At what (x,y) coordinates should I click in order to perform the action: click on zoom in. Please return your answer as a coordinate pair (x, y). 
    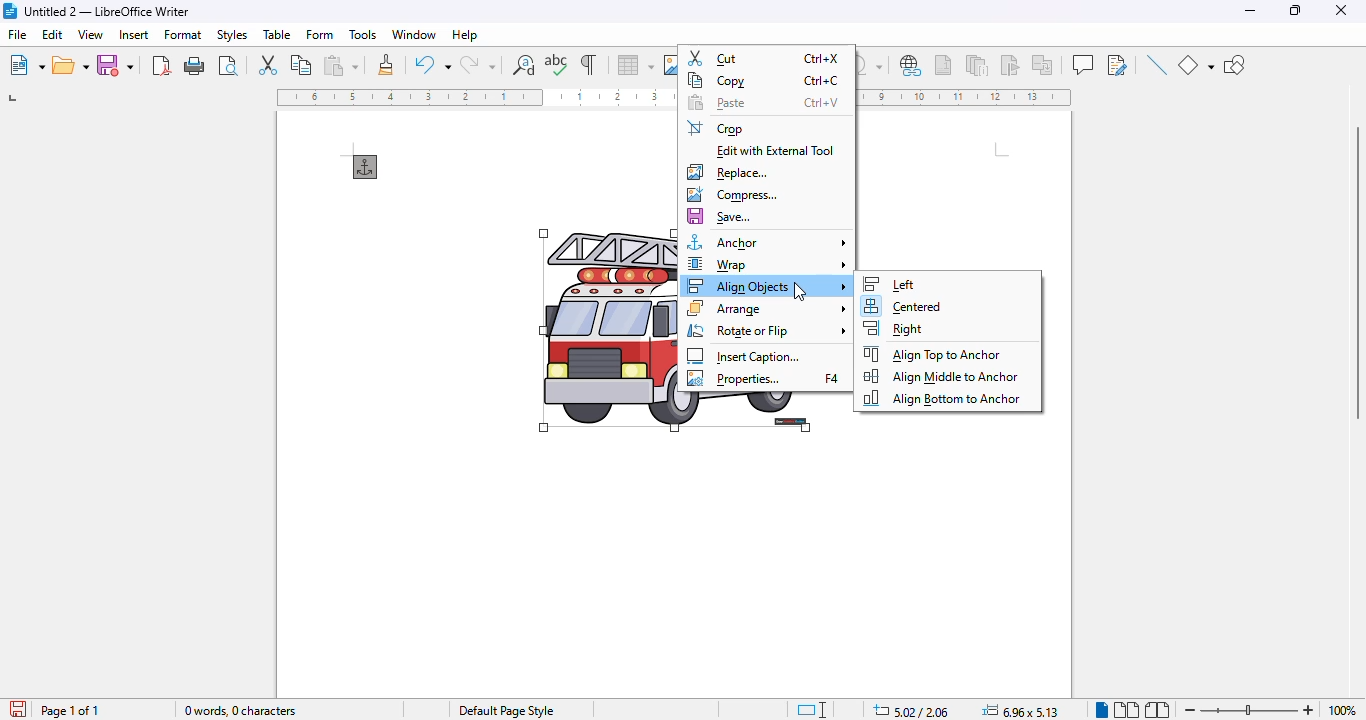
    Looking at the image, I should click on (1309, 710).